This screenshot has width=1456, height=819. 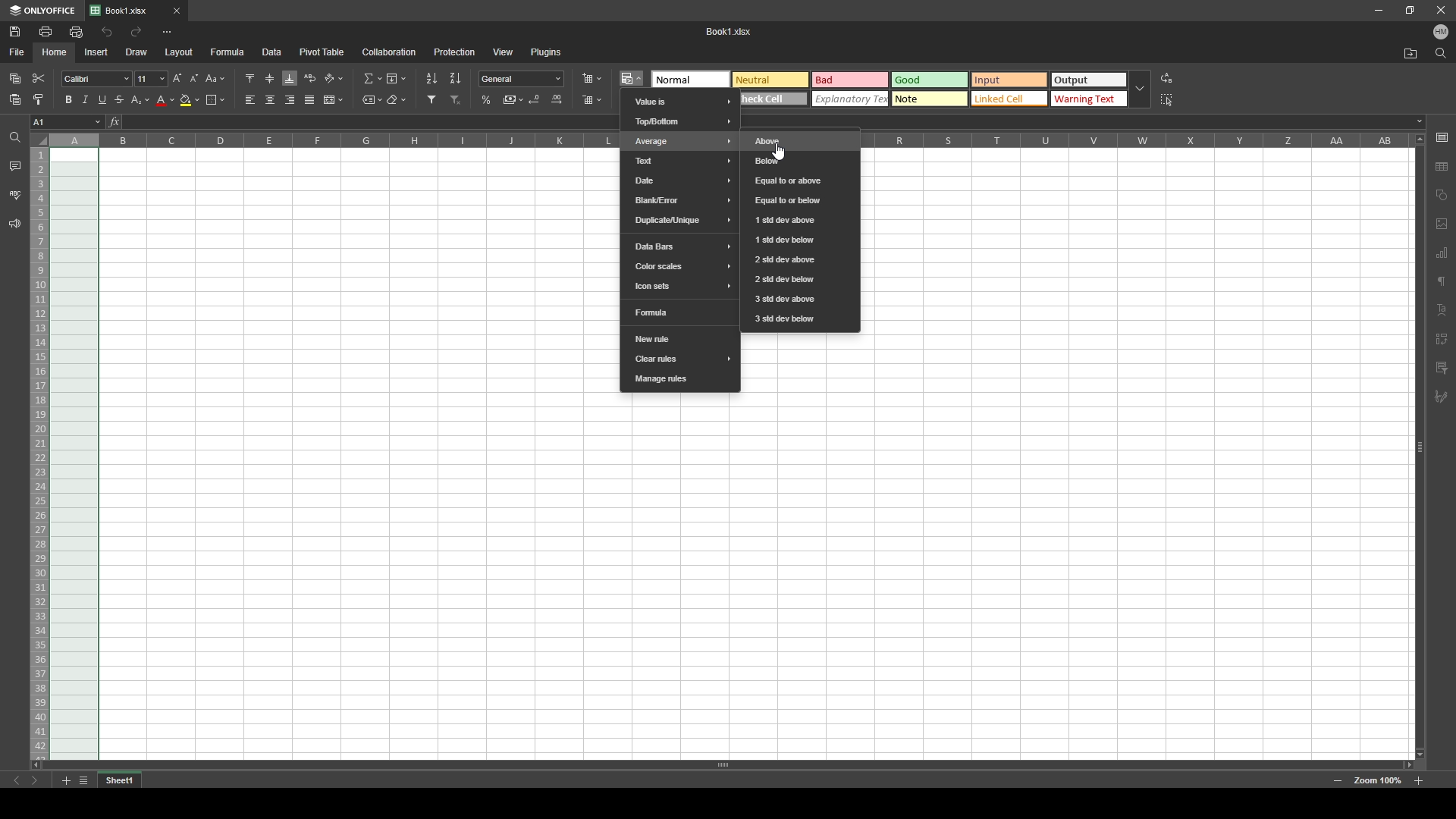 What do you see at coordinates (290, 100) in the screenshot?
I see `align right` at bounding box center [290, 100].